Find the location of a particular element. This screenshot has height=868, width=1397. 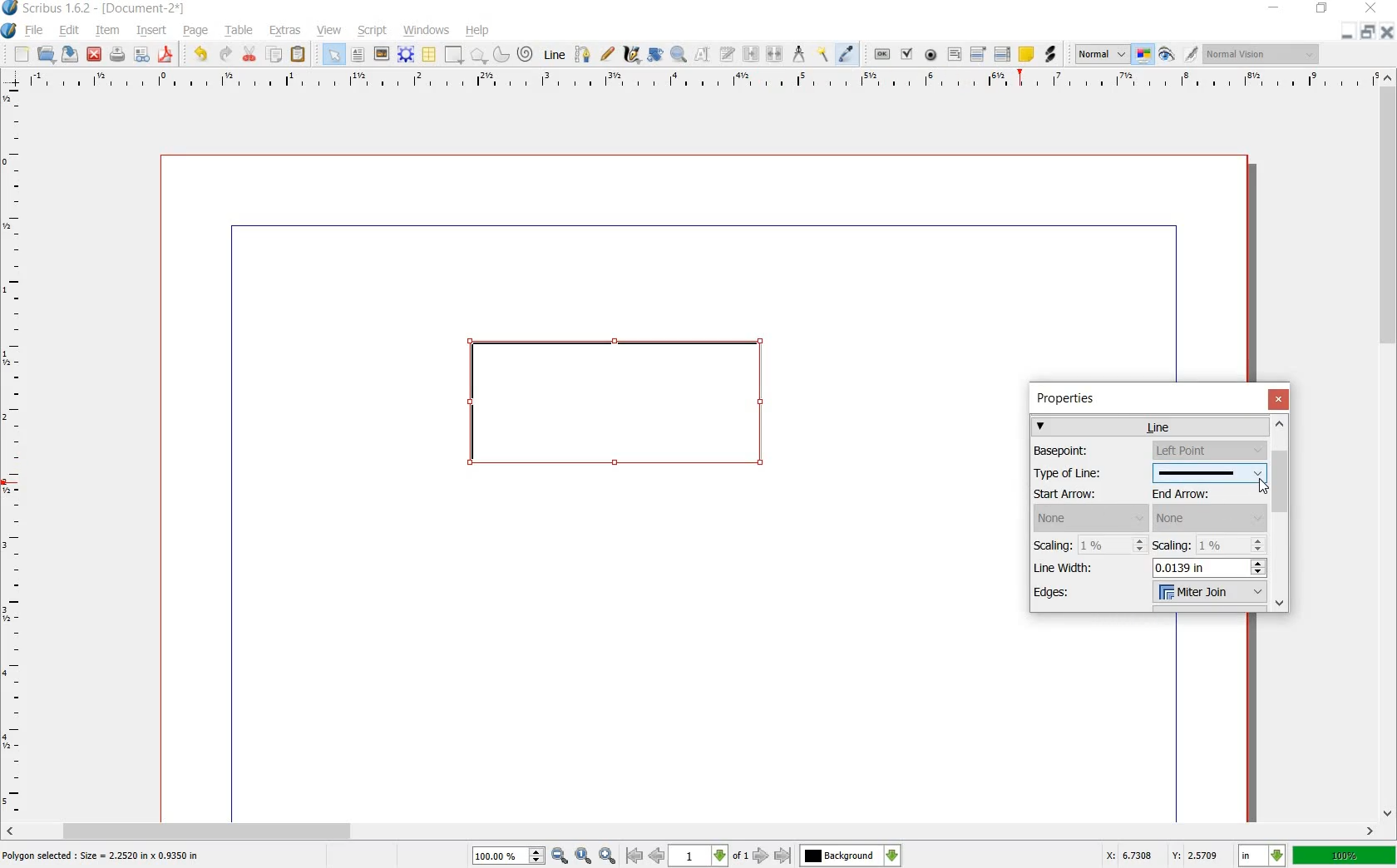

MINIMIZE is located at coordinates (1350, 32).